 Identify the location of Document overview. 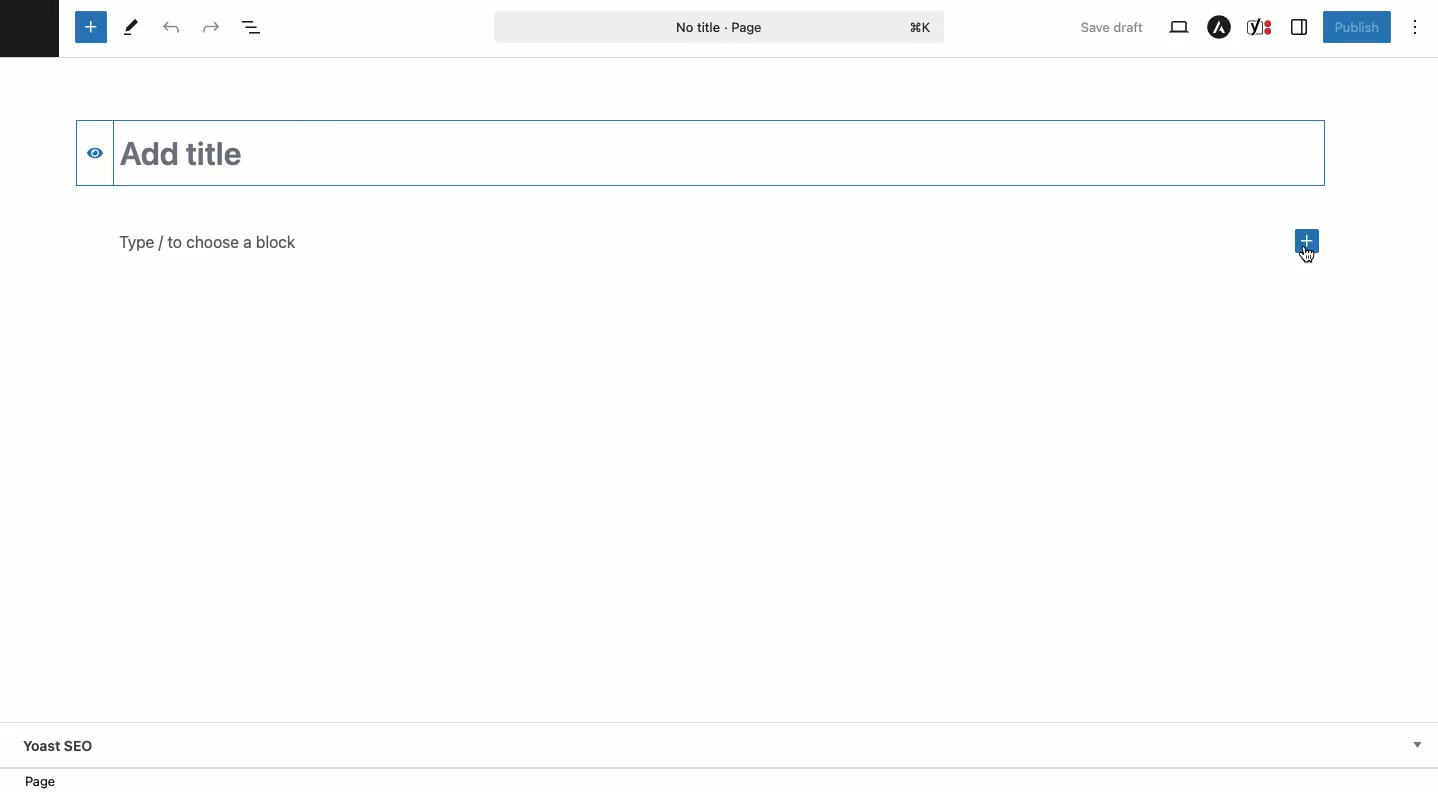
(252, 28).